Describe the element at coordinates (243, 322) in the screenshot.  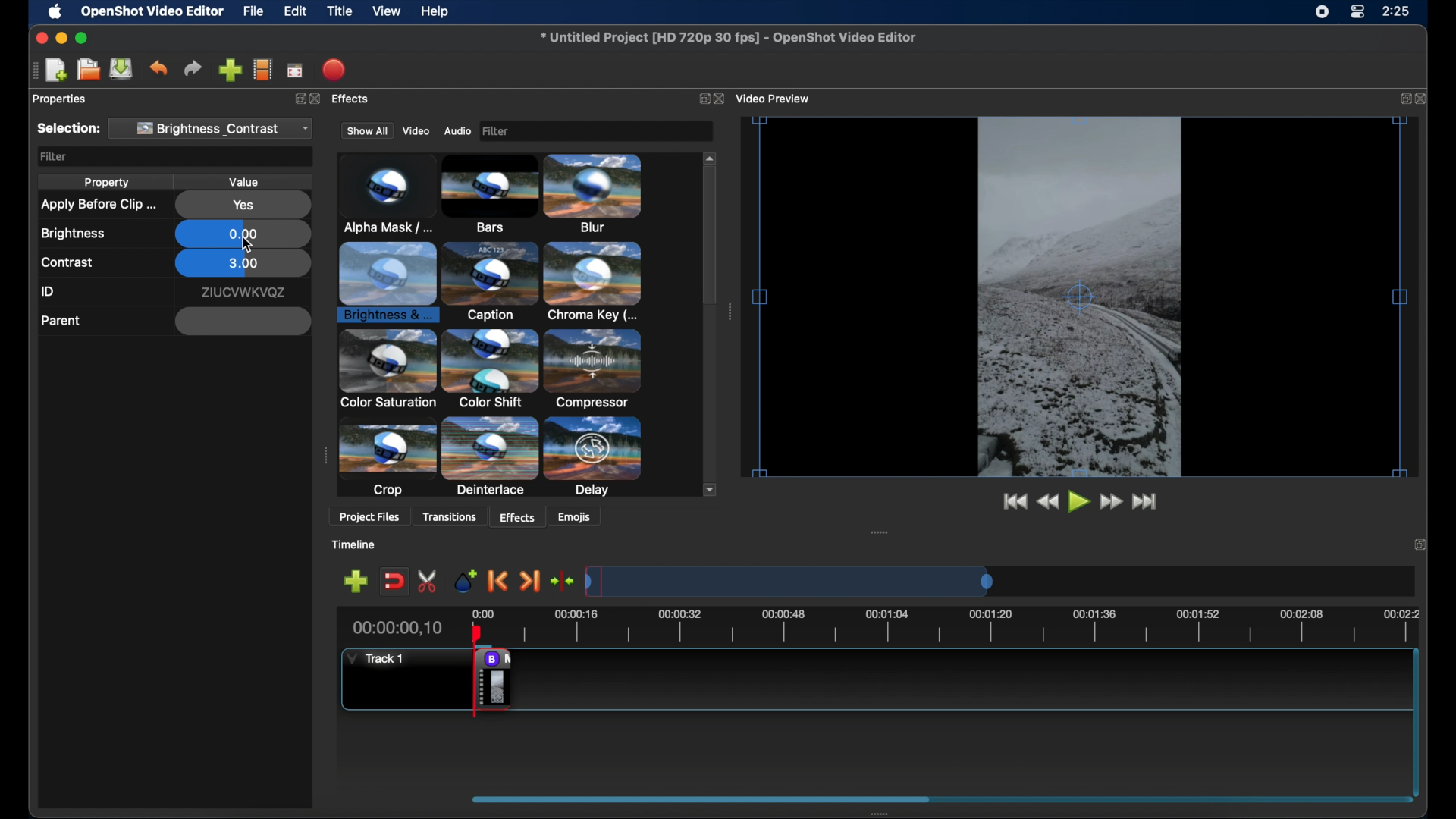
I see `empty field` at that location.